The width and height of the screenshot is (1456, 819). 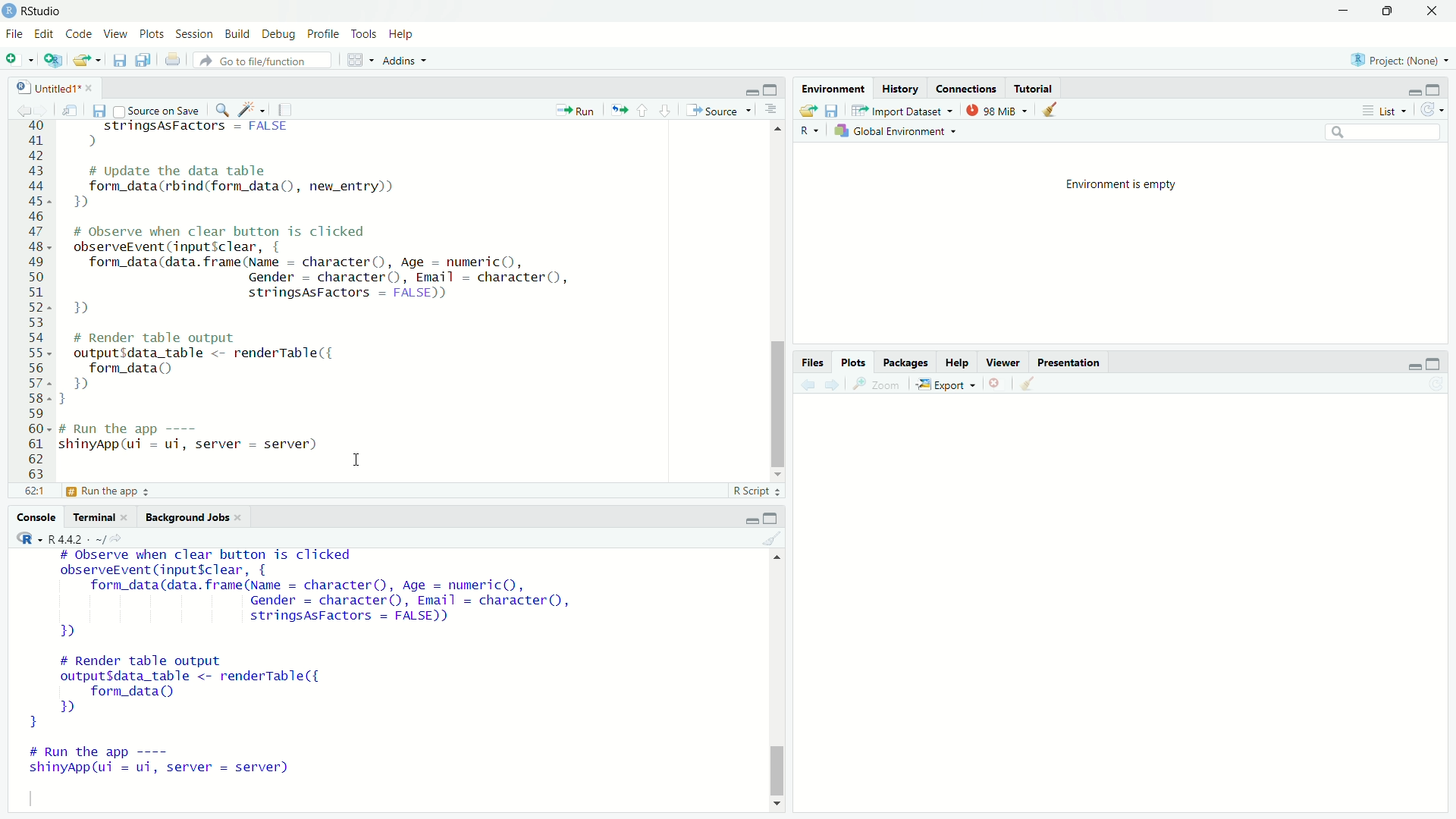 I want to click on maximize, so click(x=1392, y=11).